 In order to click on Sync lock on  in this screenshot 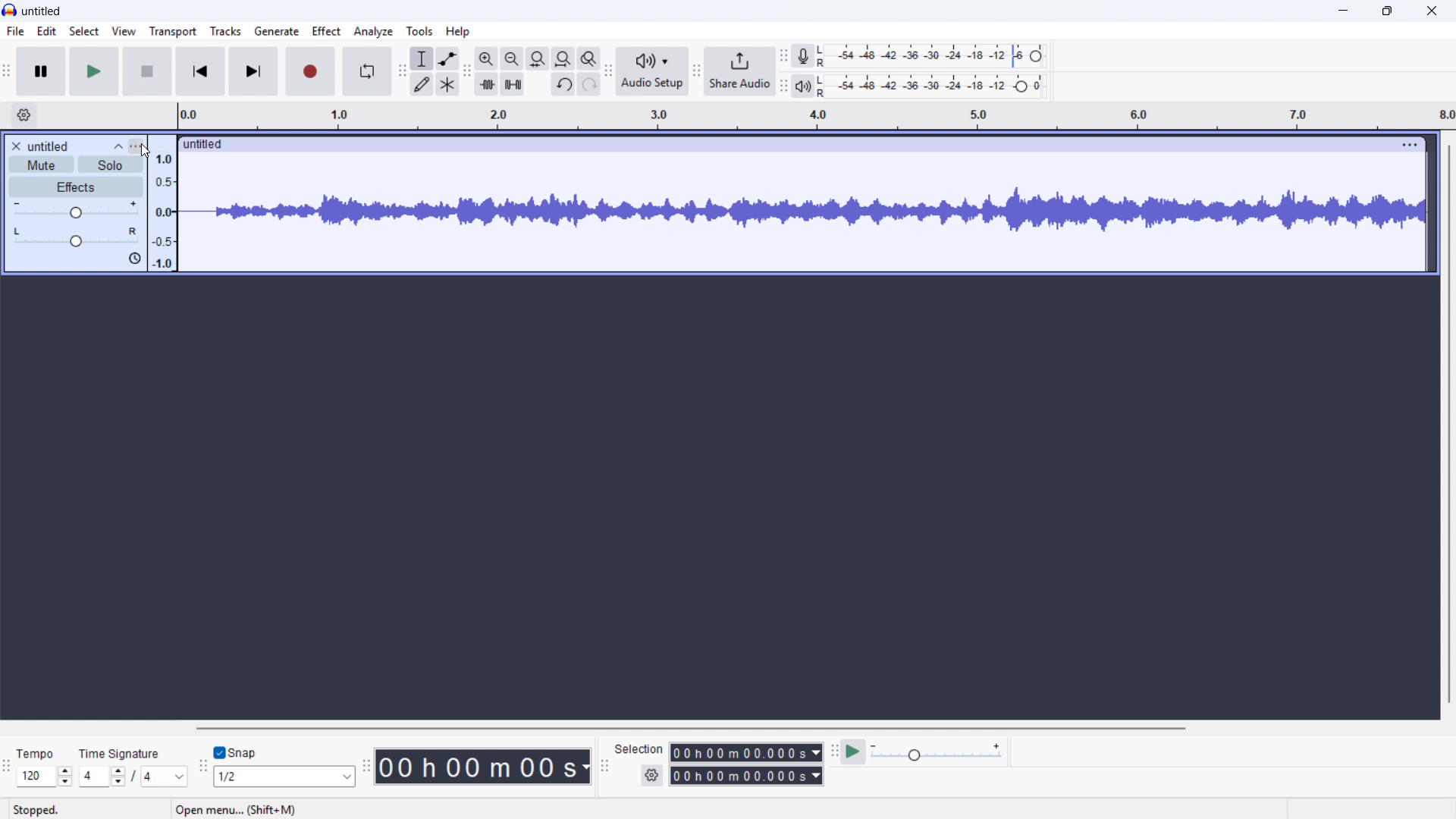, I will do `click(135, 259)`.